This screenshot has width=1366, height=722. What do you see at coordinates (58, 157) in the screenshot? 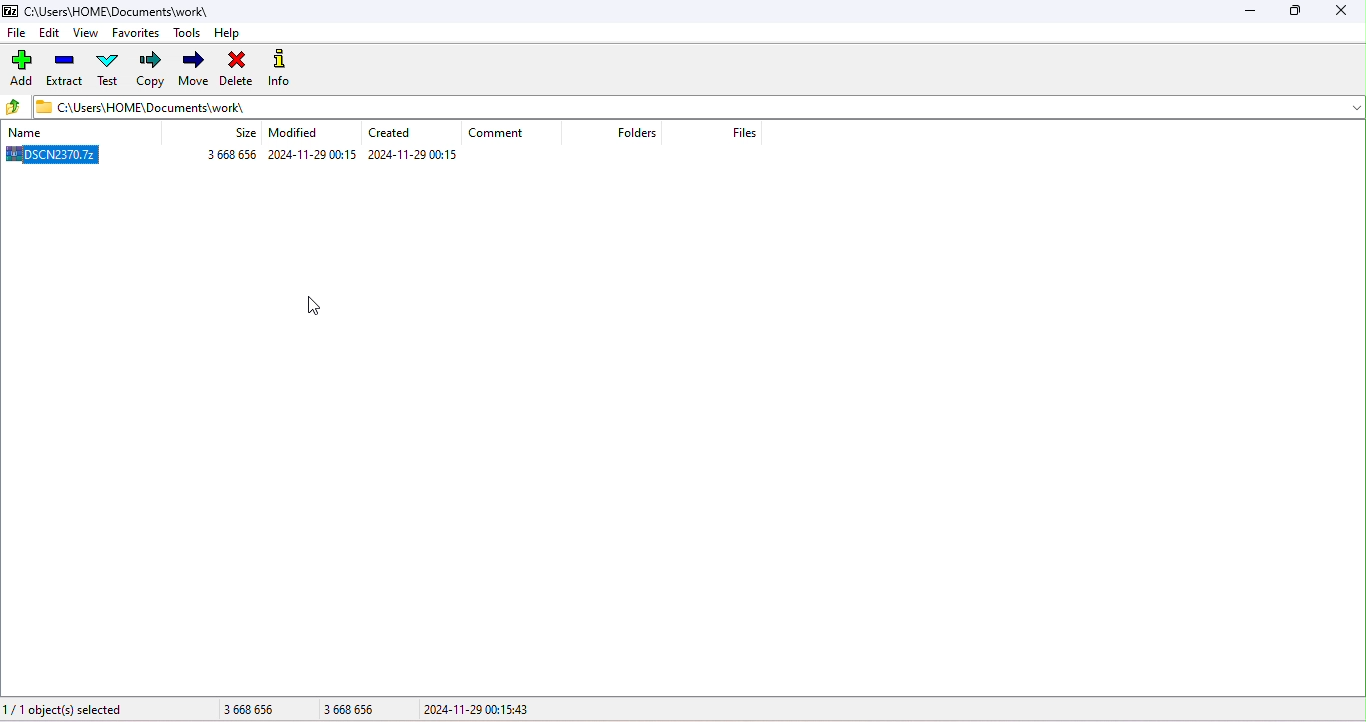
I see `file selected` at bounding box center [58, 157].